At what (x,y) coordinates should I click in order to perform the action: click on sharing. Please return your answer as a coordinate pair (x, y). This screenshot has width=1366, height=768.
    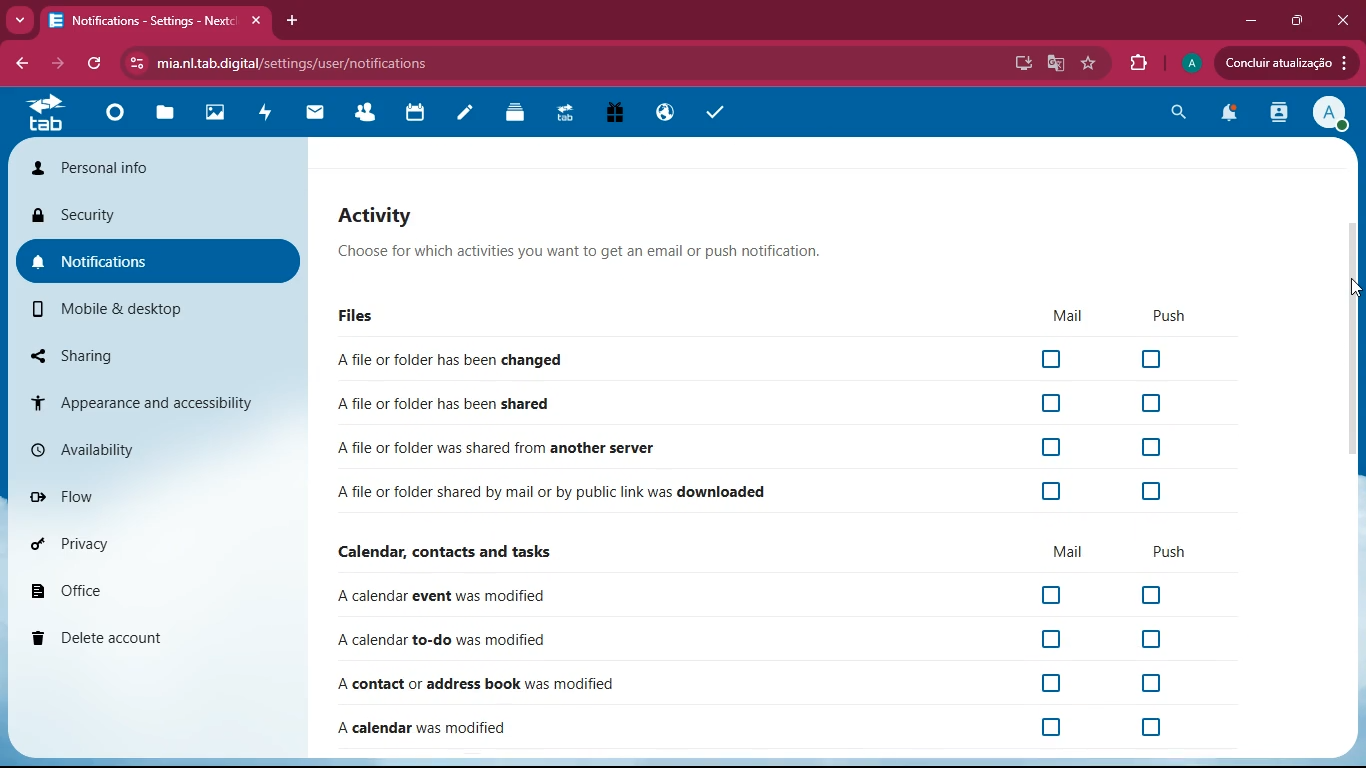
    Looking at the image, I should click on (147, 353).